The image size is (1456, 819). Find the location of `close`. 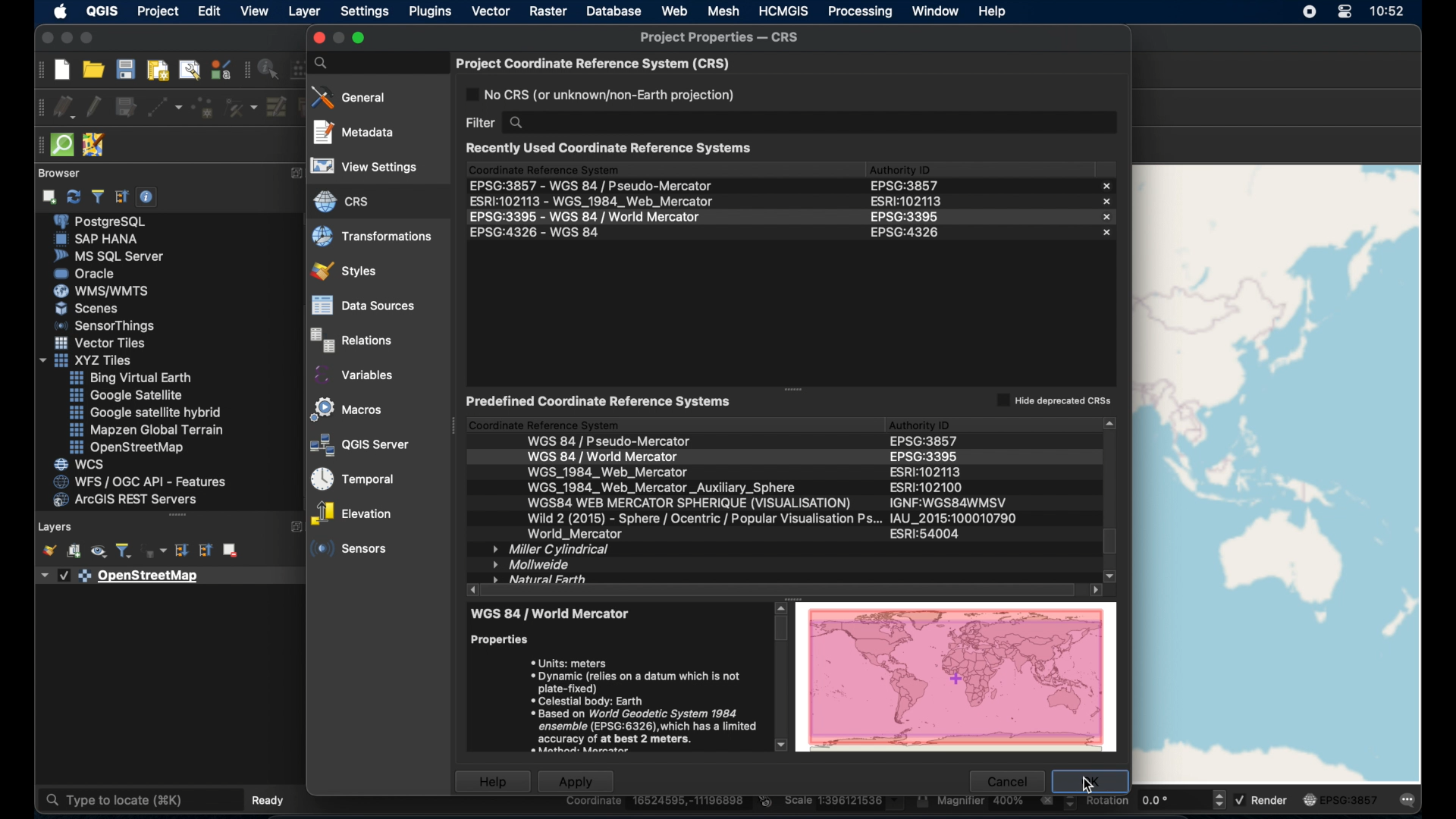

close is located at coordinates (1110, 184).